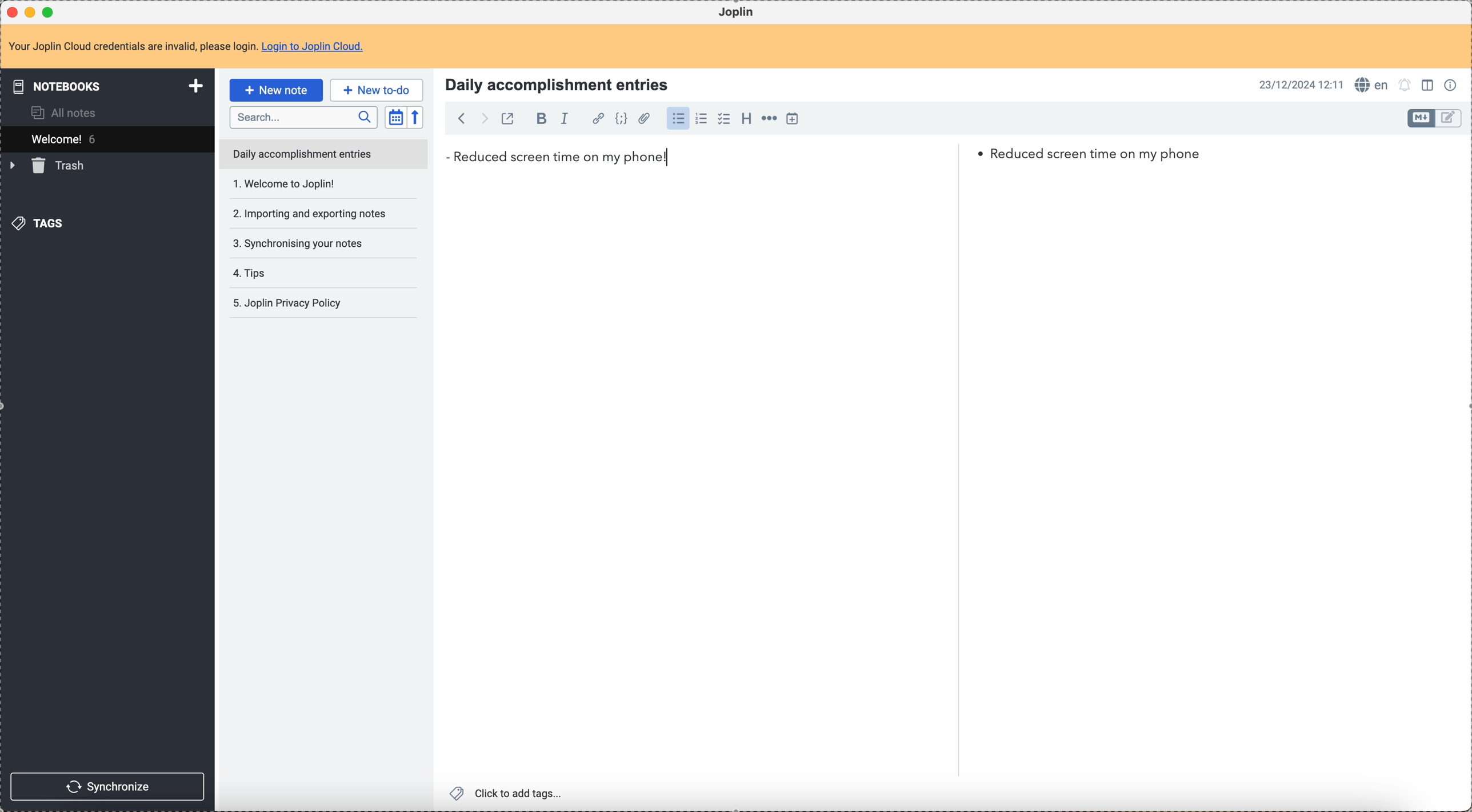 This screenshot has width=1472, height=812. What do you see at coordinates (42, 223) in the screenshot?
I see `tags` at bounding box center [42, 223].